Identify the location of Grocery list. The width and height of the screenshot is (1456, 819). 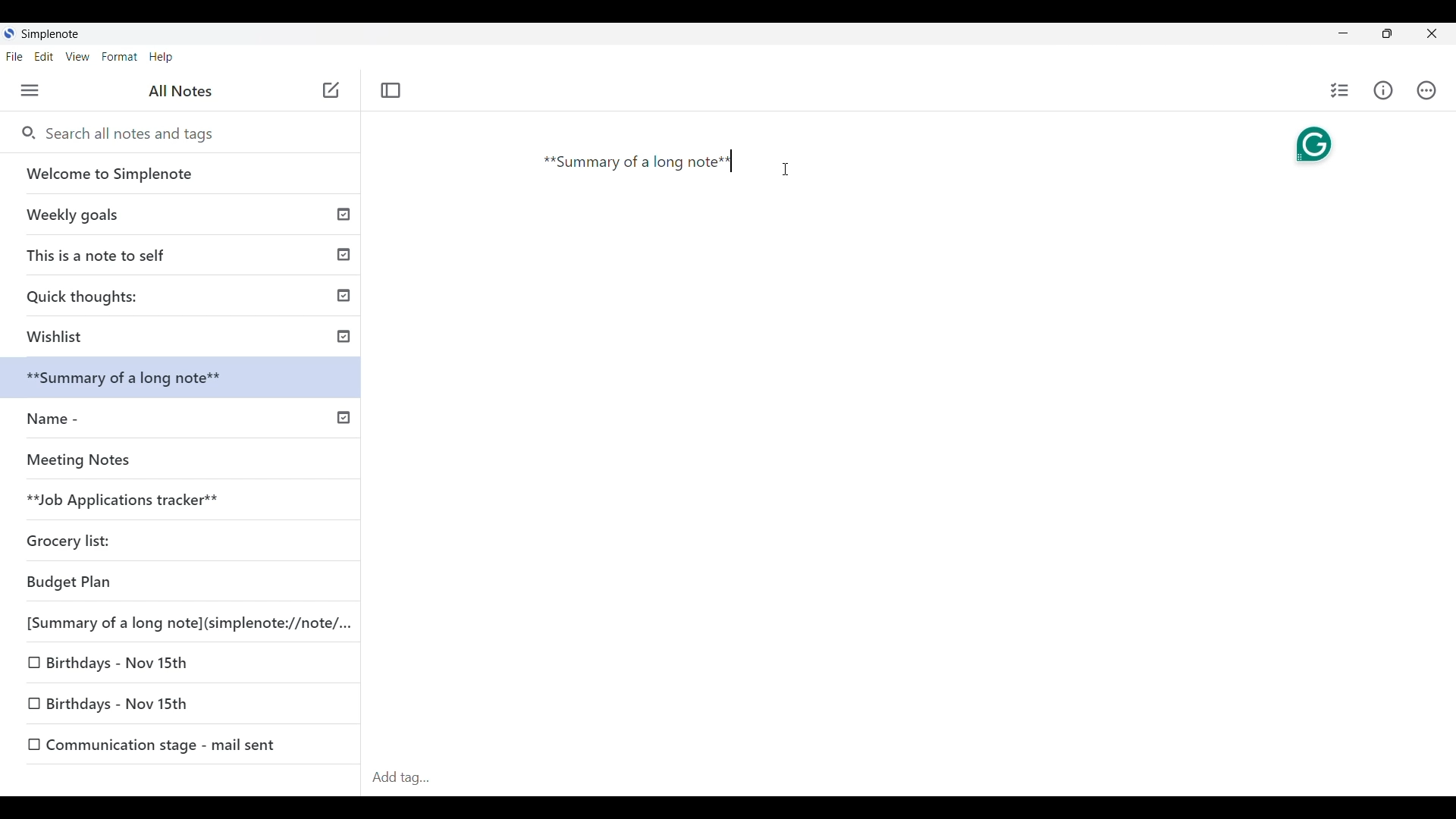
(92, 536).